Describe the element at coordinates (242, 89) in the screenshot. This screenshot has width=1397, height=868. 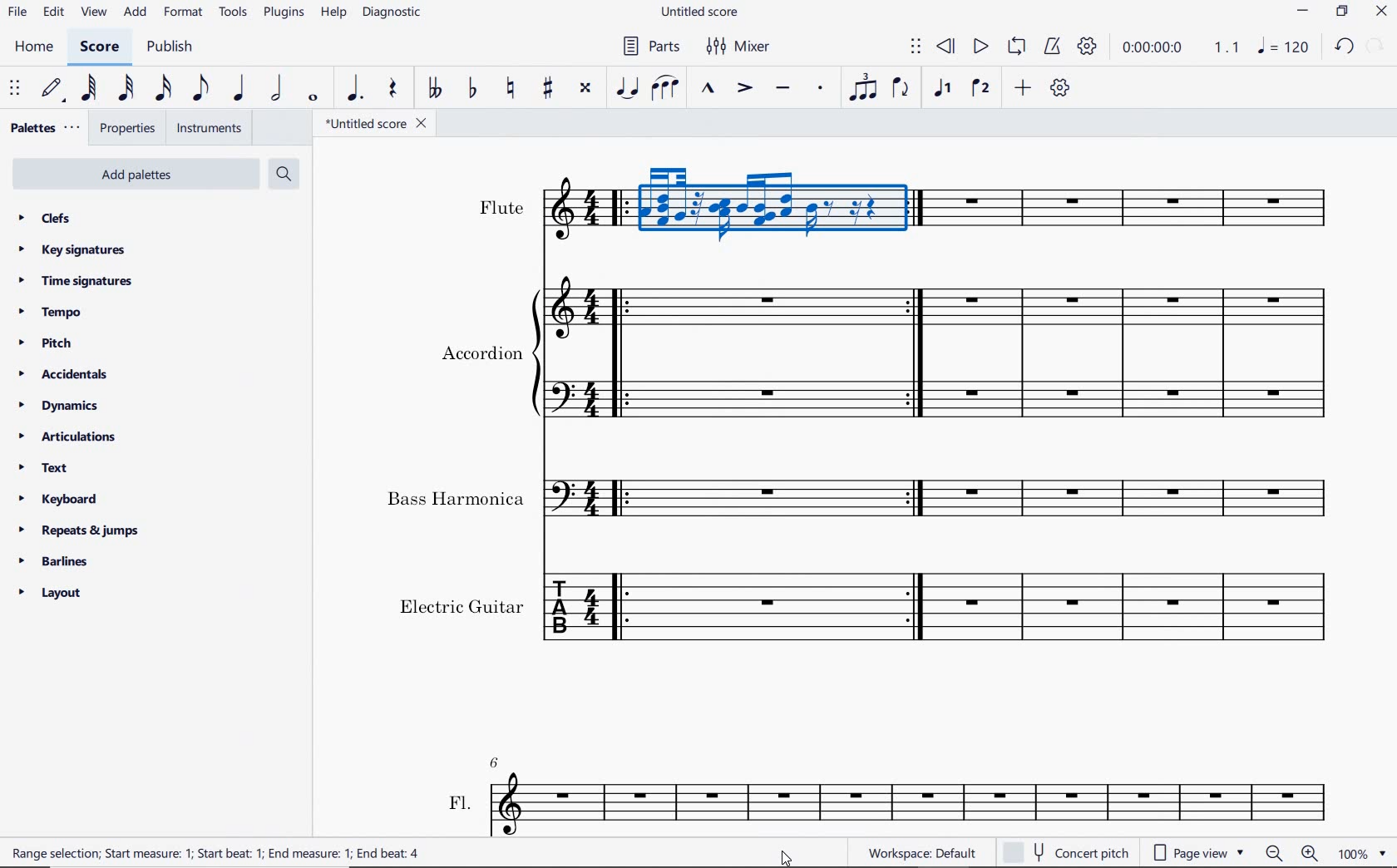
I see `quarter note` at that location.